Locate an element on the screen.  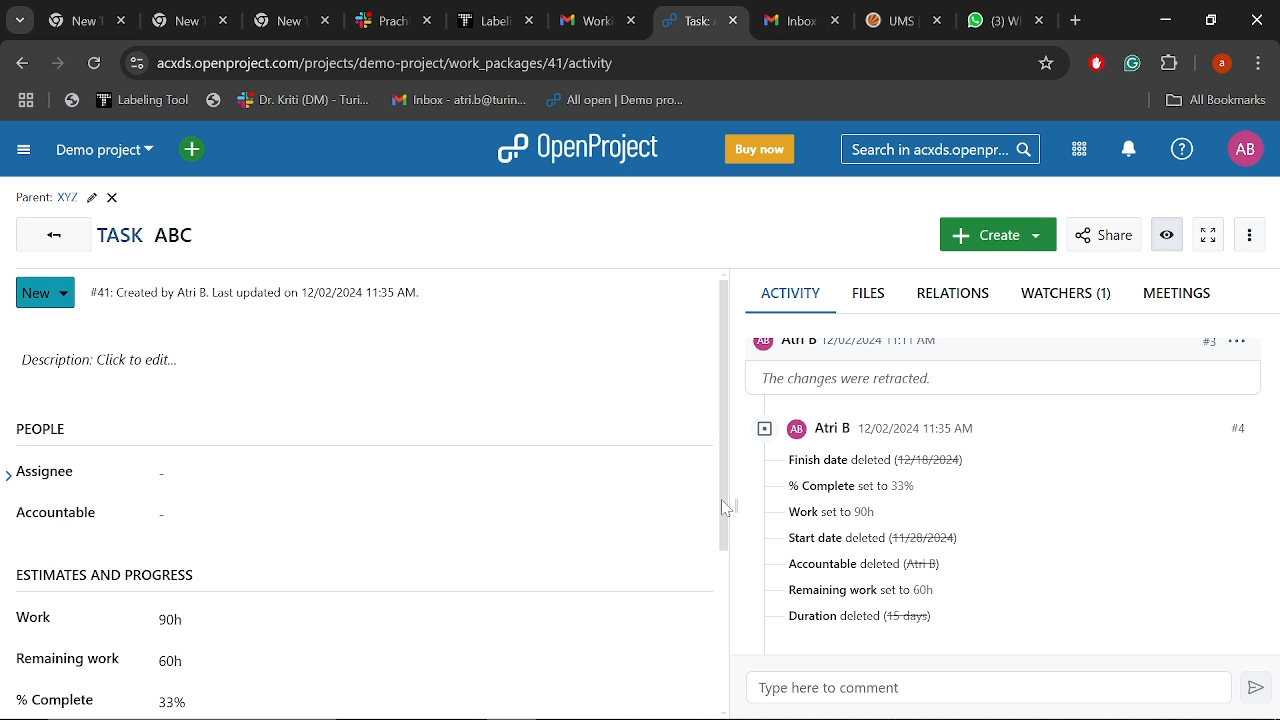
All bookmarks is located at coordinates (1215, 101).